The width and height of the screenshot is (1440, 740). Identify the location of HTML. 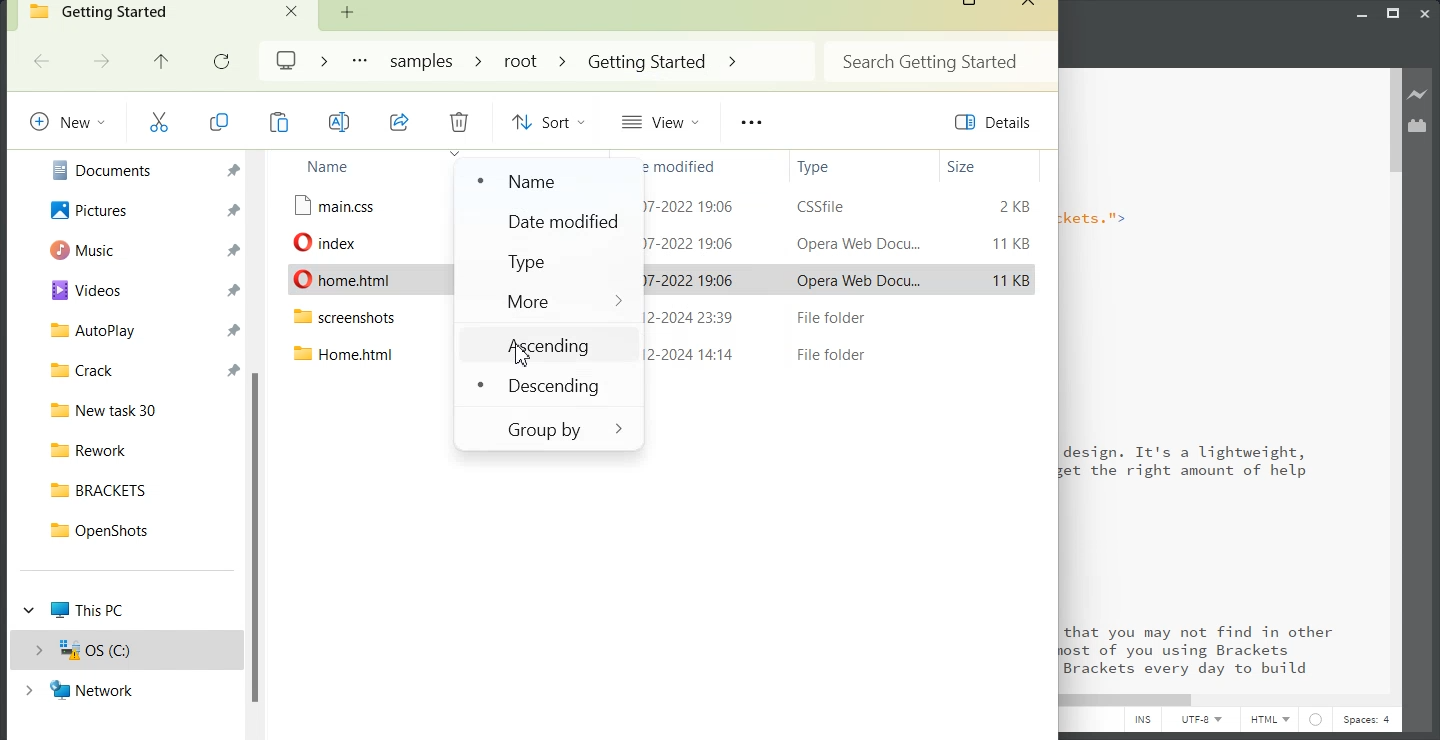
(1270, 721).